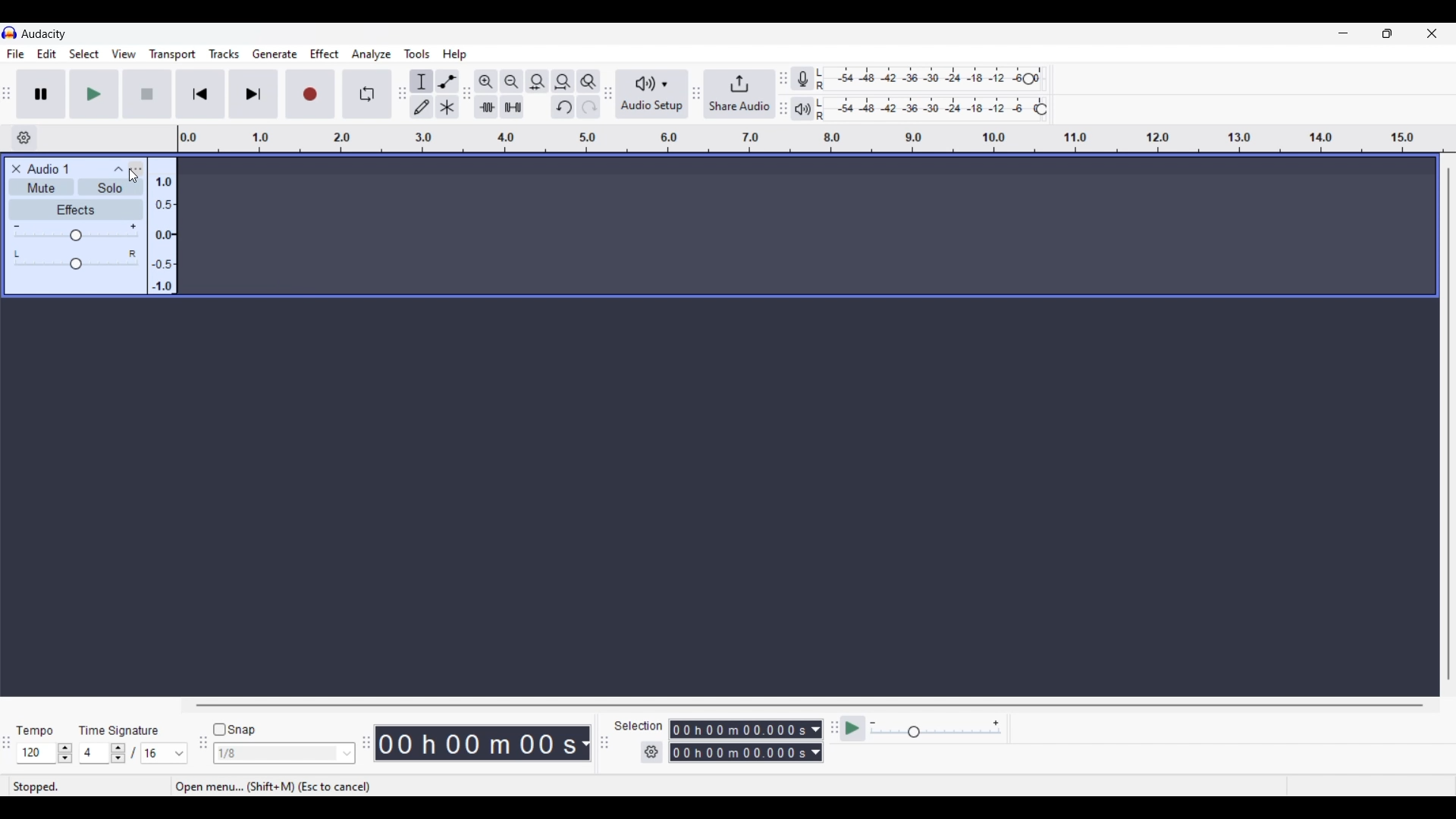  I want to click on Playback meter, so click(810, 108).